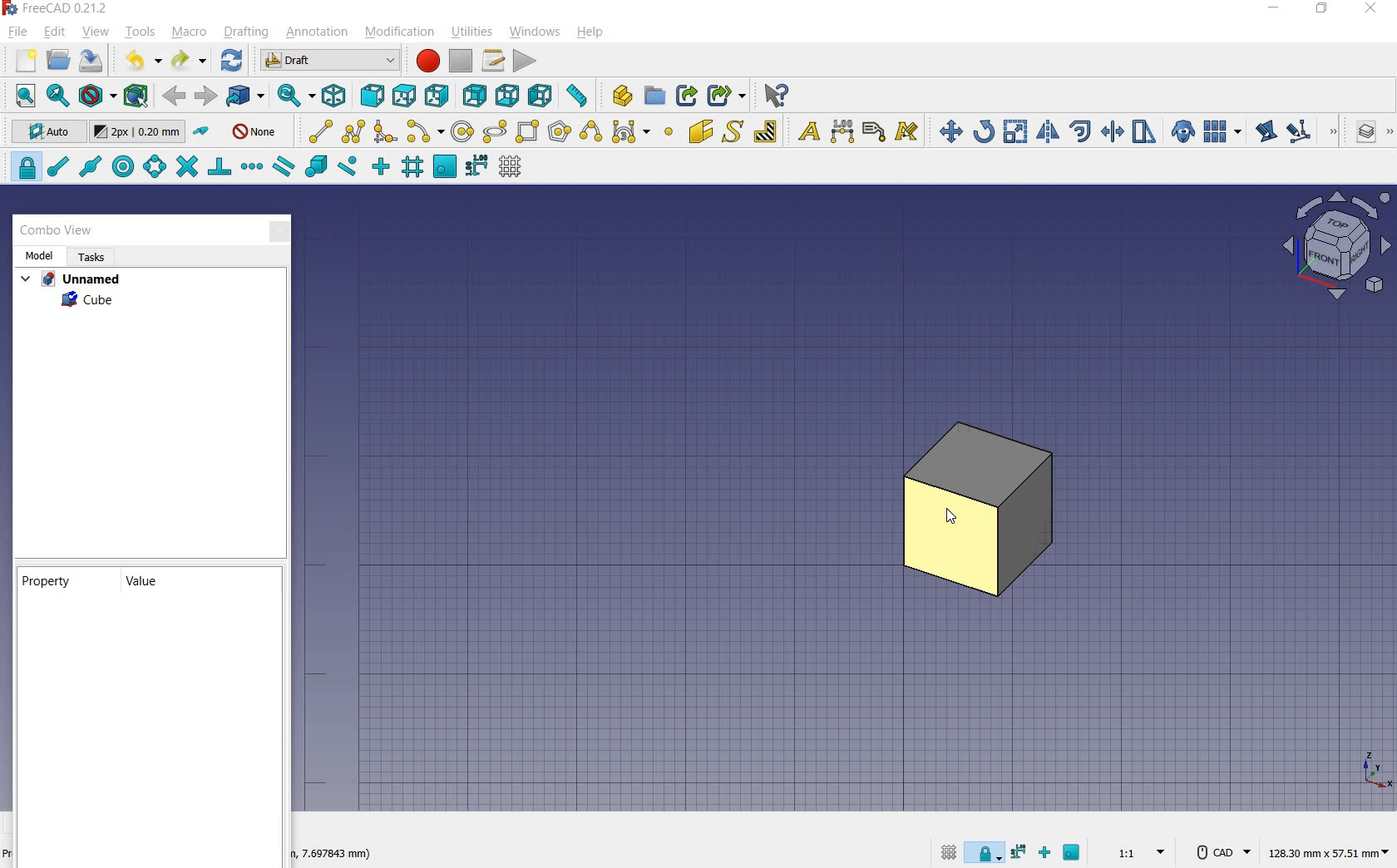 The image size is (1397, 868). I want to click on polygon, so click(560, 132).